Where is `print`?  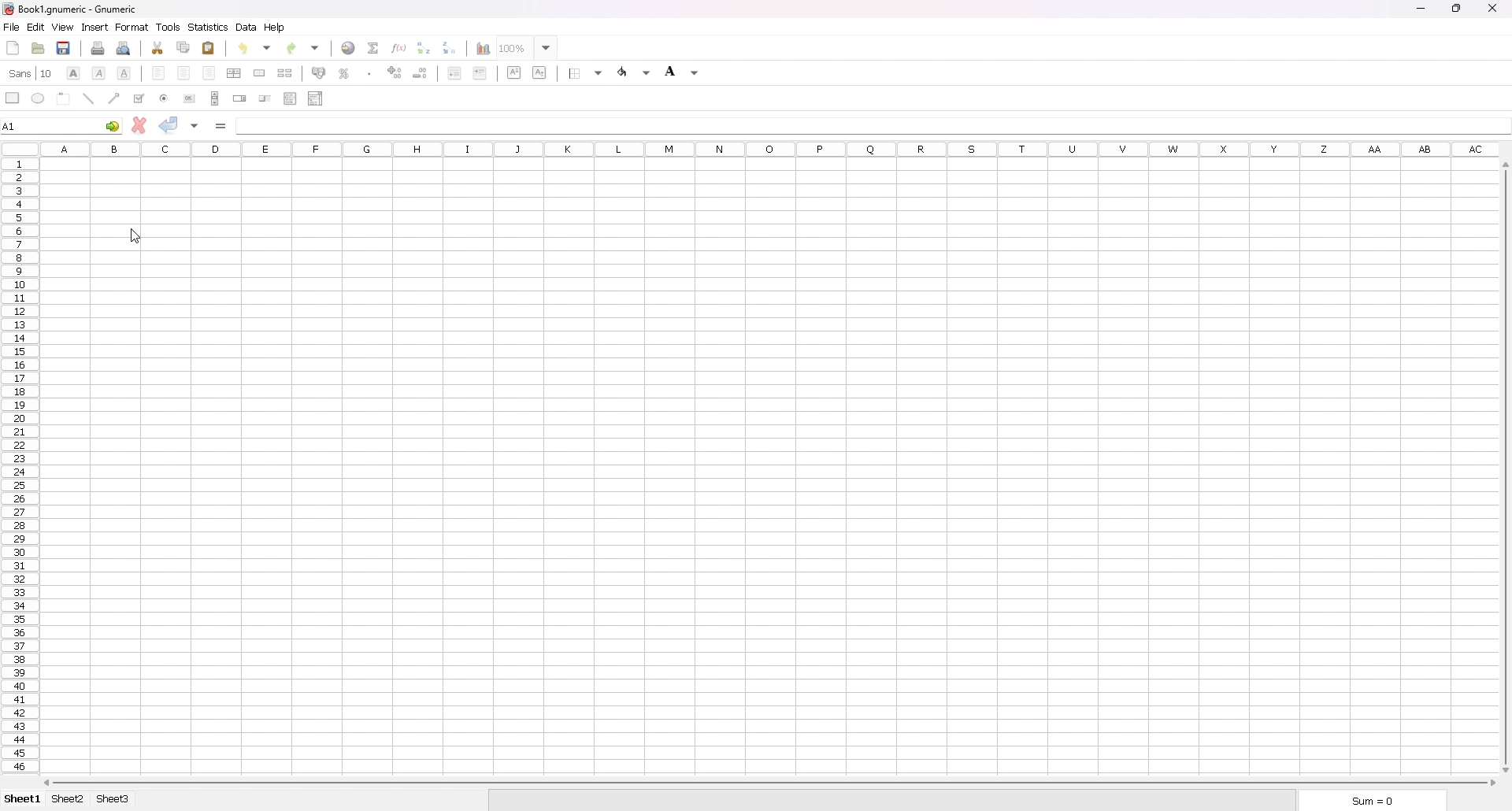
print is located at coordinates (98, 46).